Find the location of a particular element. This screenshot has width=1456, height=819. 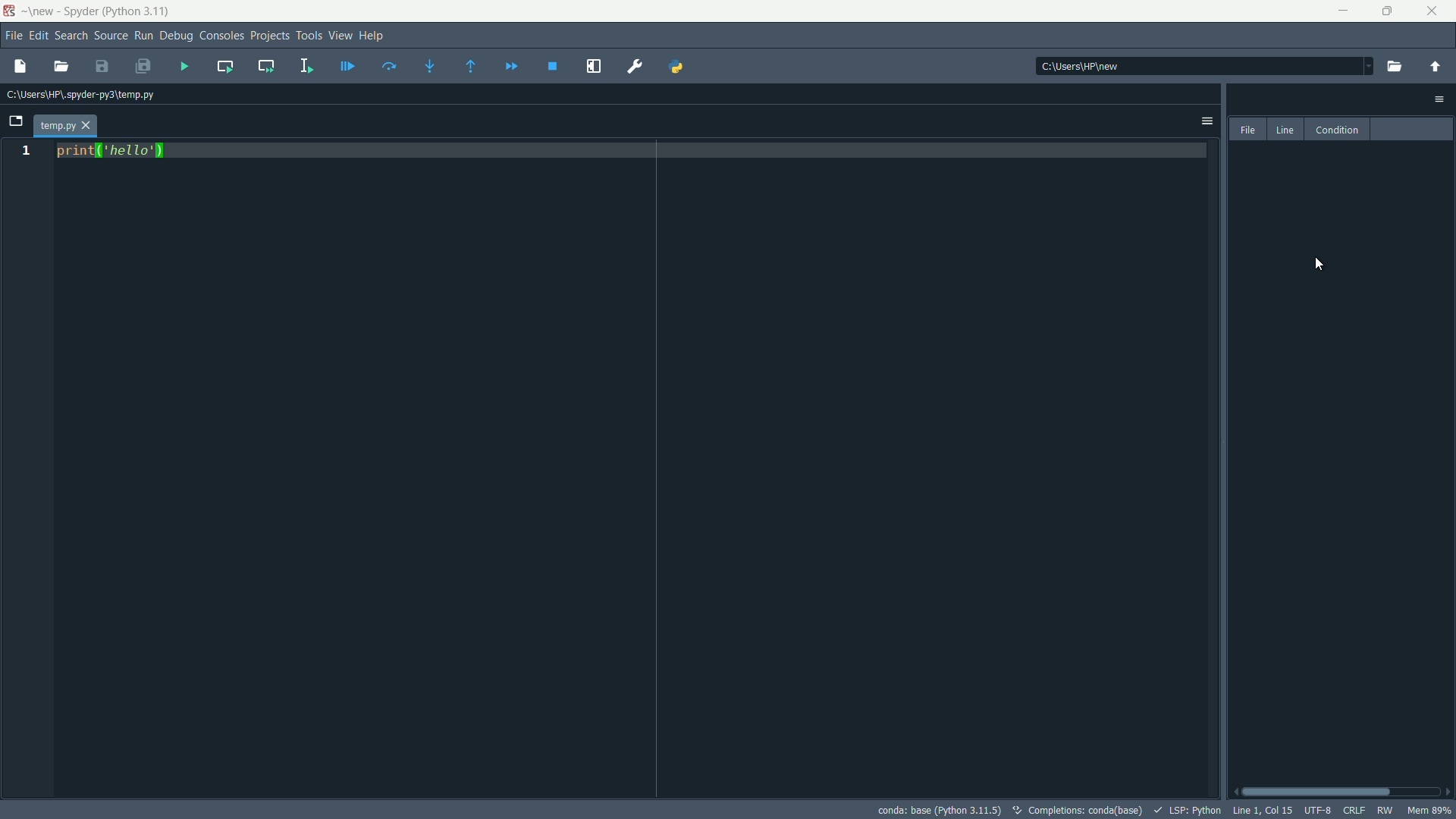

search menu is located at coordinates (71, 36).